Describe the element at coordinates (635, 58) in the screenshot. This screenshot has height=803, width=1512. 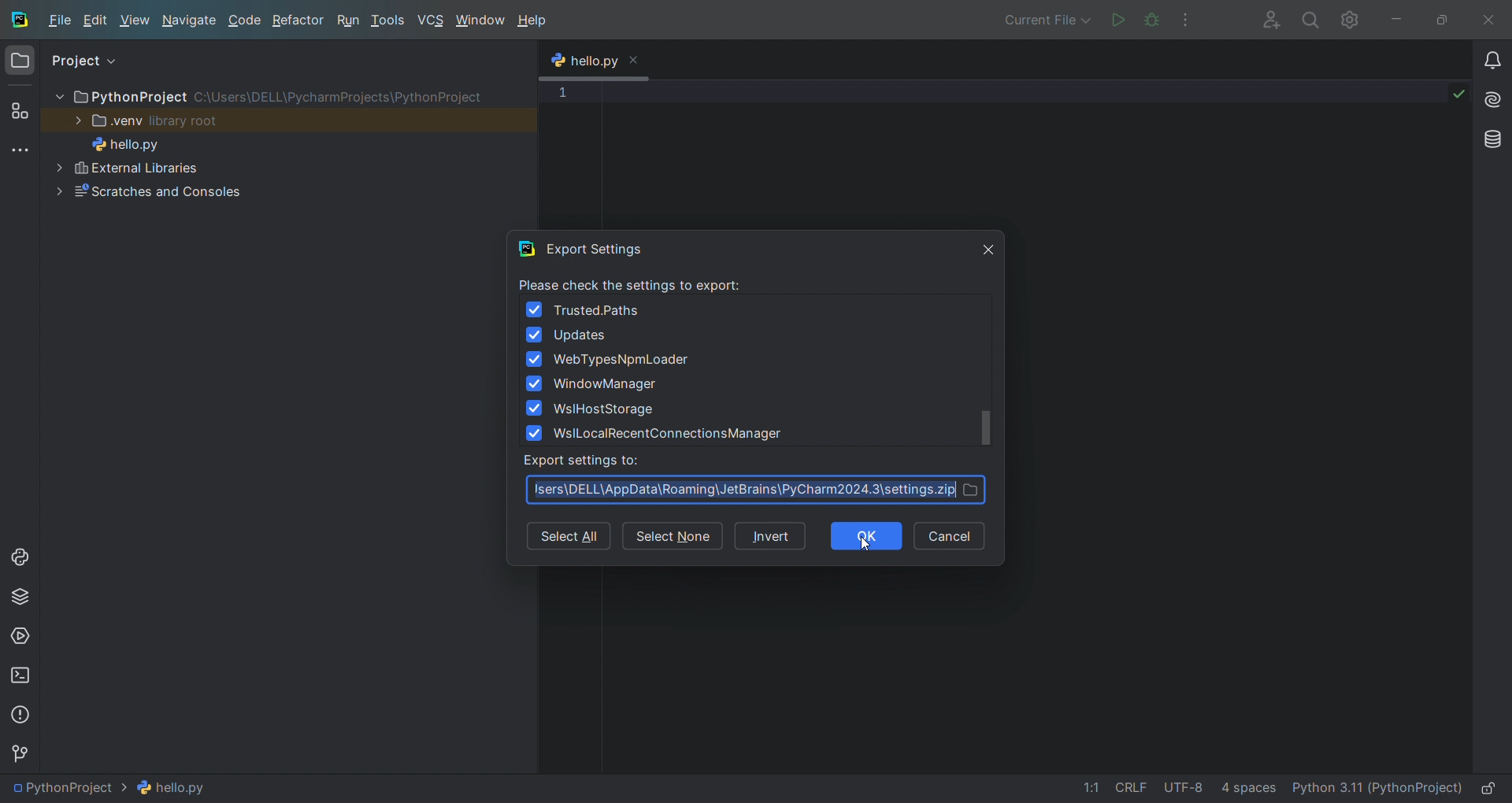
I see `close` at that location.